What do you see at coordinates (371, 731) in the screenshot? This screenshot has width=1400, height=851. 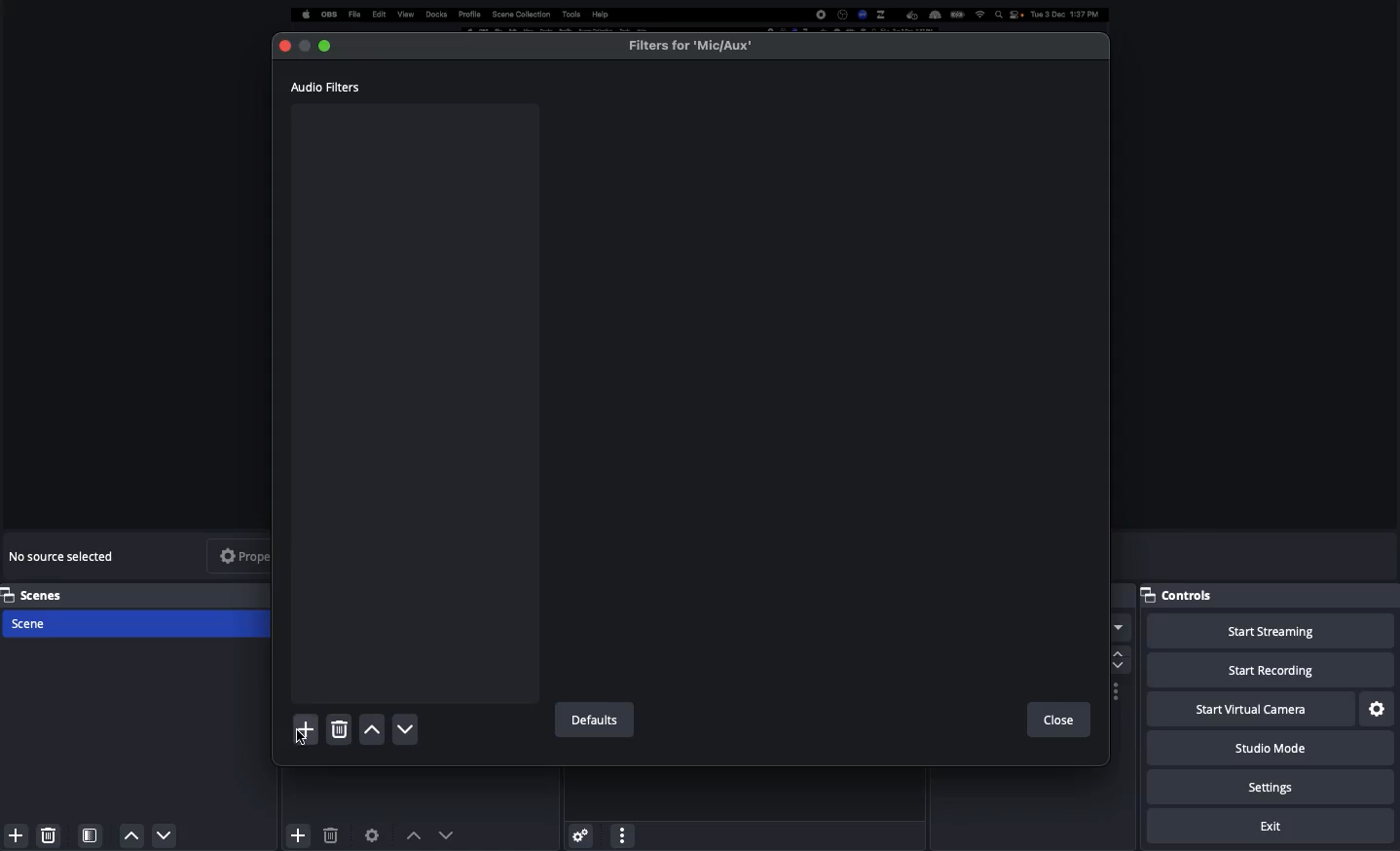 I see `Up` at bounding box center [371, 731].